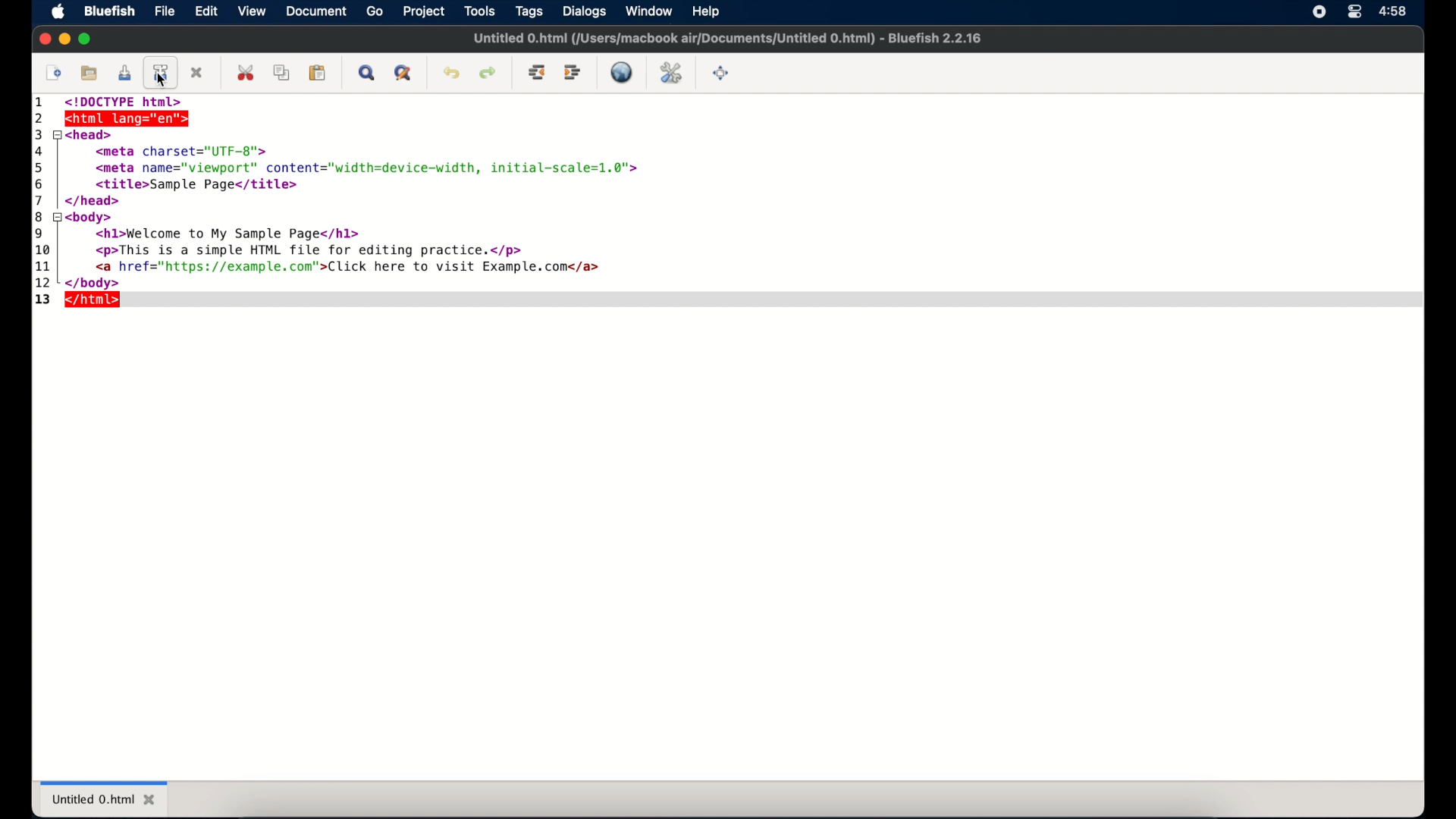  What do you see at coordinates (247, 72) in the screenshot?
I see `cut` at bounding box center [247, 72].